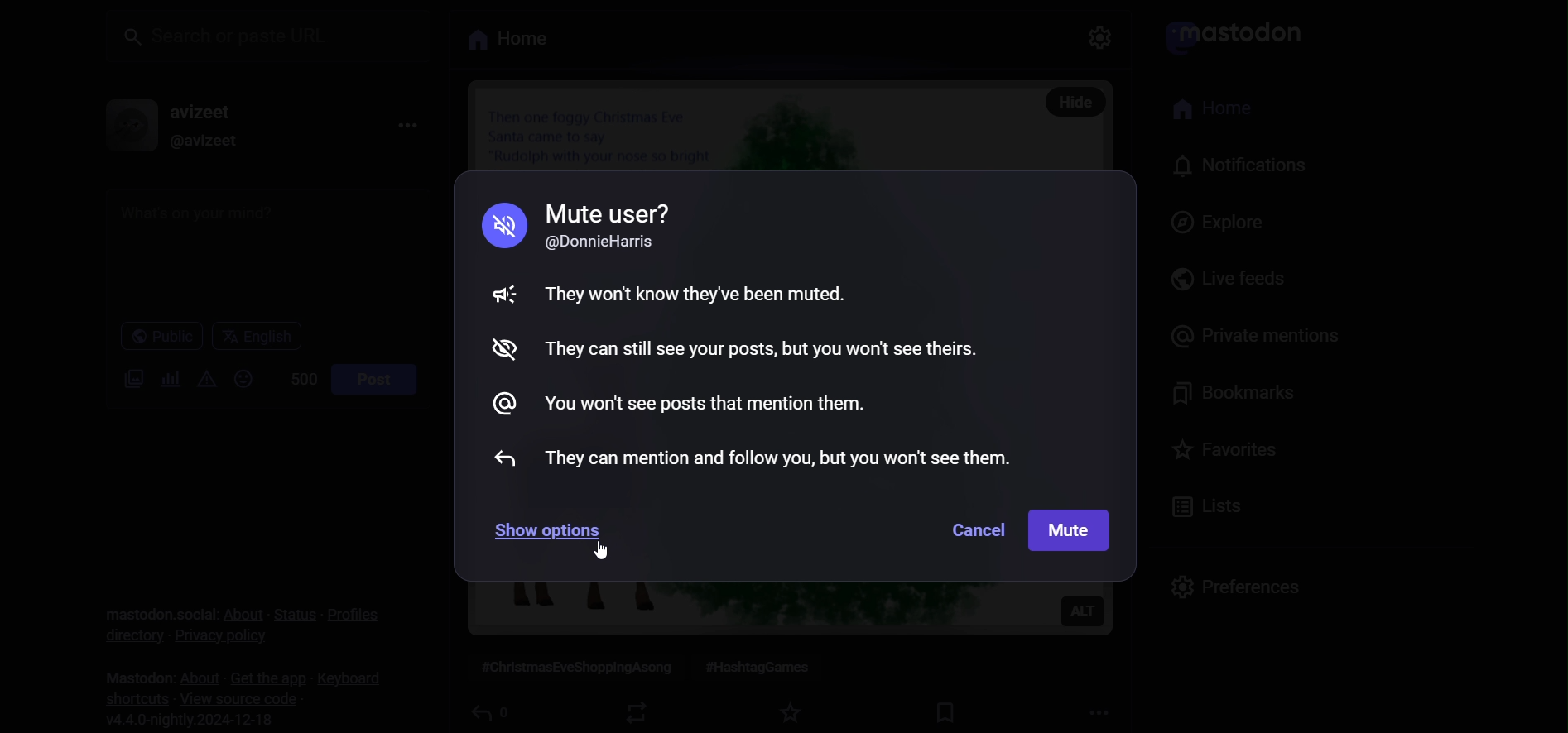 This screenshot has width=1568, height=733. Describe the element at coordinates (497, 292) in the screenshot. I see `mute` at that location.